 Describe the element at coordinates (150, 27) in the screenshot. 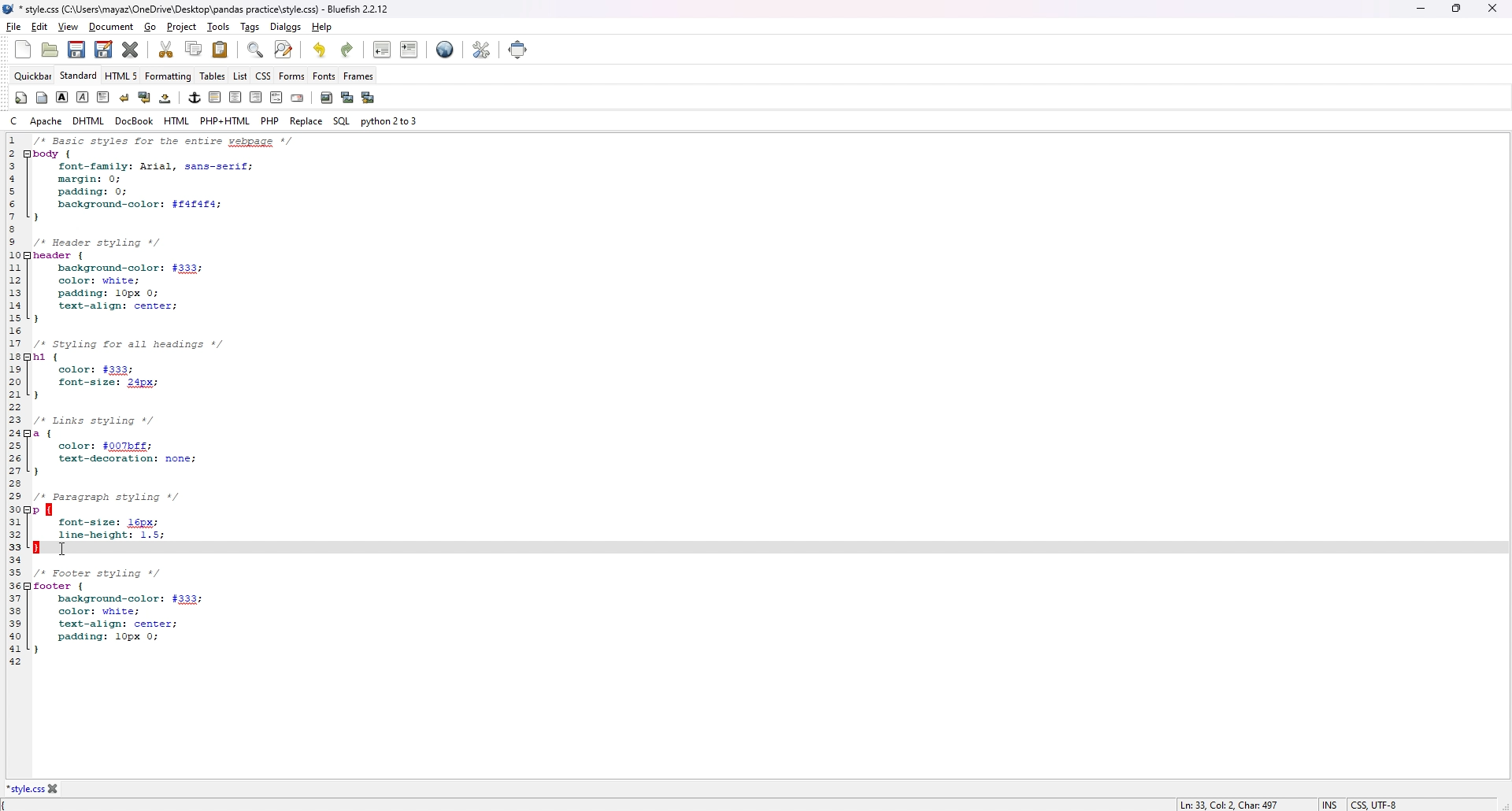

I see `go` at that location.